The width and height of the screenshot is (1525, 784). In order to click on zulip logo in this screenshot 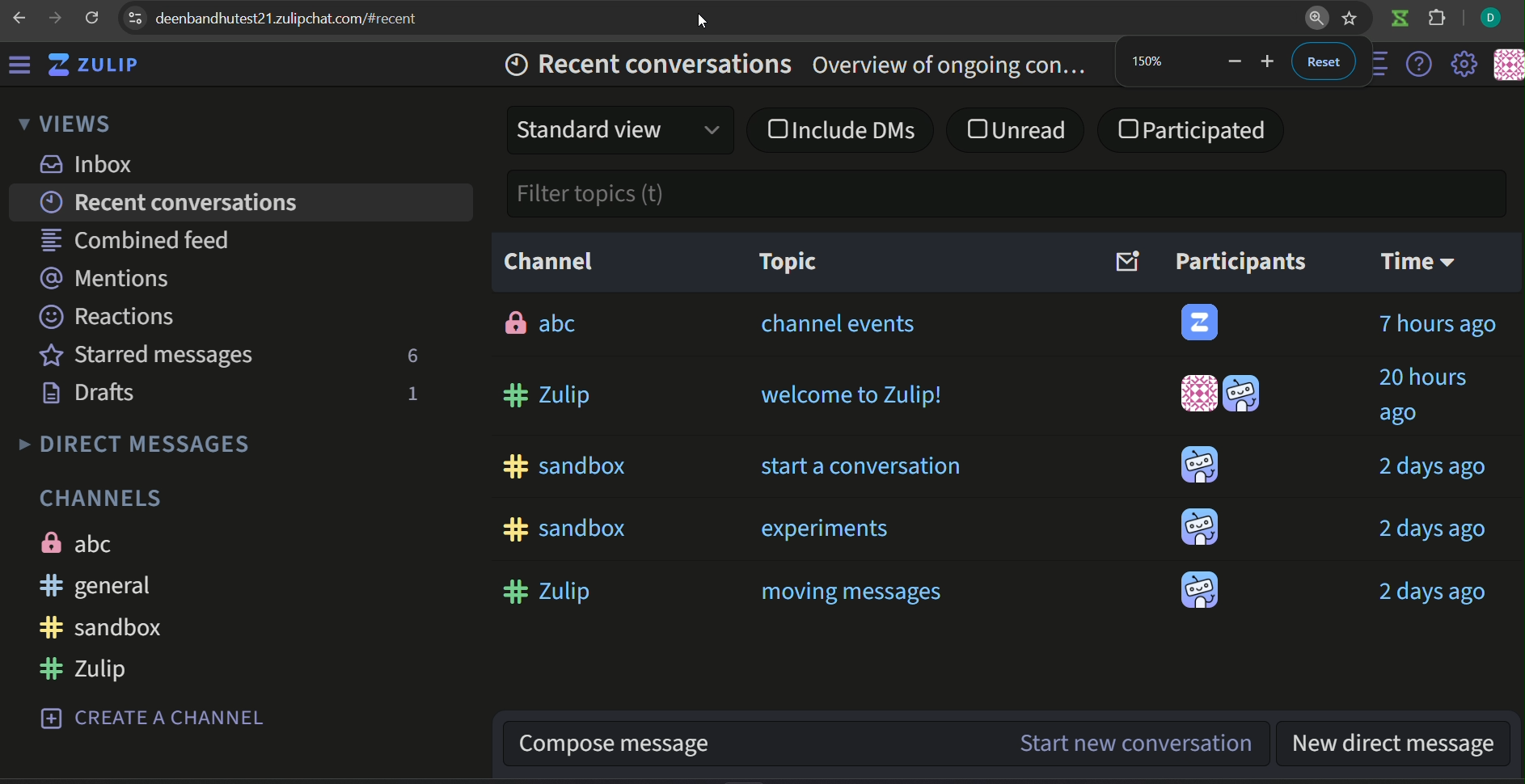, I will do `click(92, 65)`.